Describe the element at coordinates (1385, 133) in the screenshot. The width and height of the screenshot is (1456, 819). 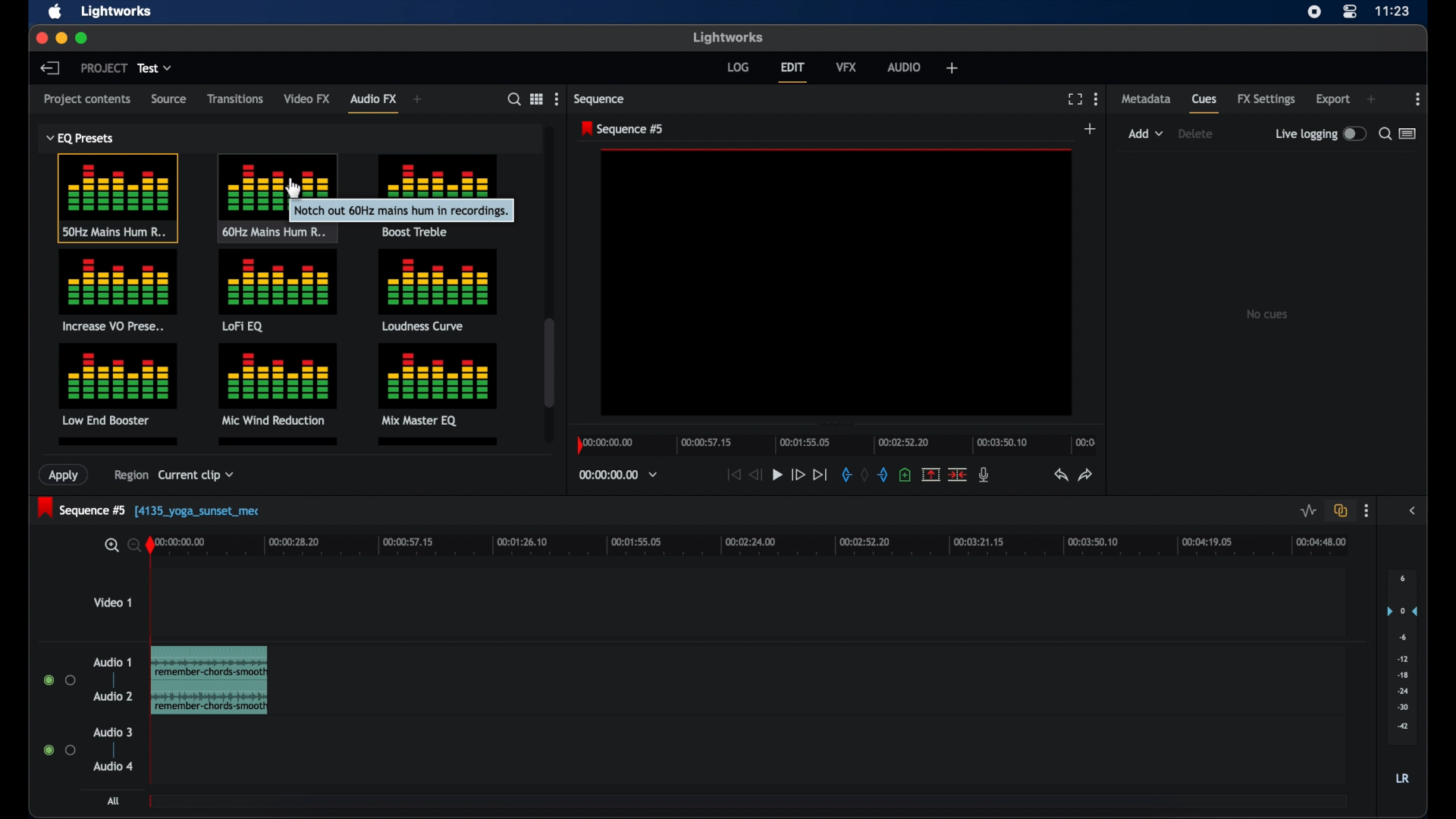
I see `search` at that location.